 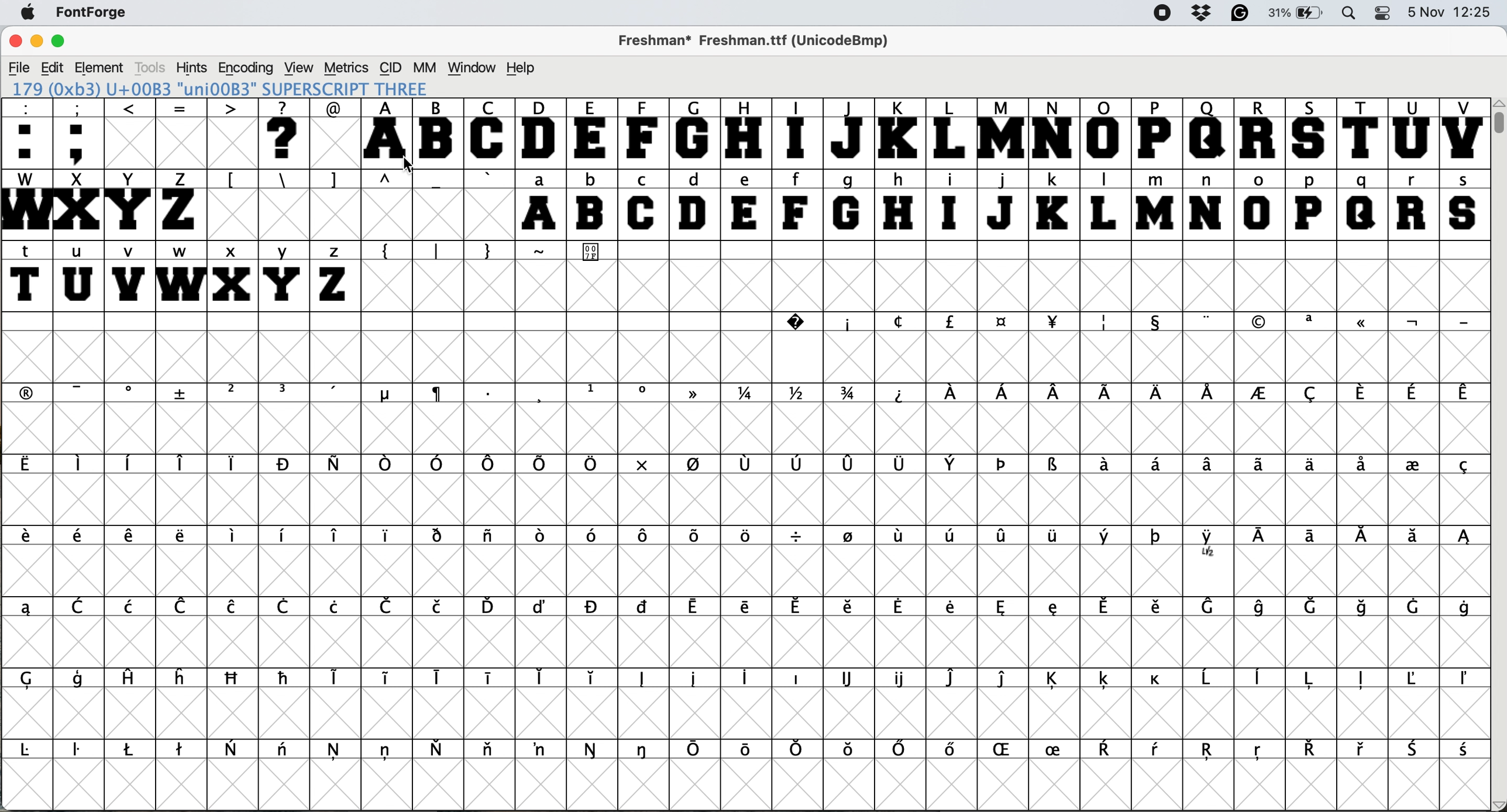 What do you see at coordinates (18, 66) in the screenshot?
I see `file` at bounding box center [18, 66].